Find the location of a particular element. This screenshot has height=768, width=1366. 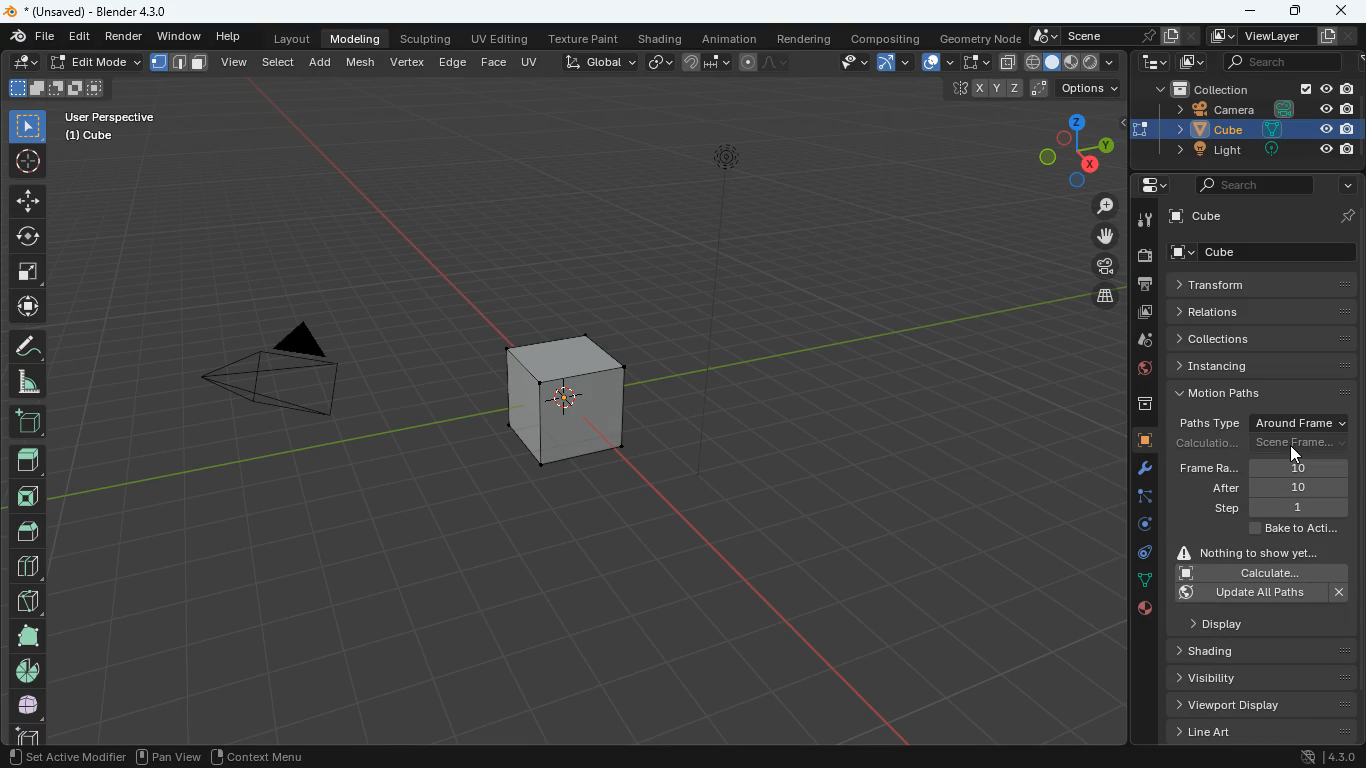

geometry is located at coordinates (980, 38).